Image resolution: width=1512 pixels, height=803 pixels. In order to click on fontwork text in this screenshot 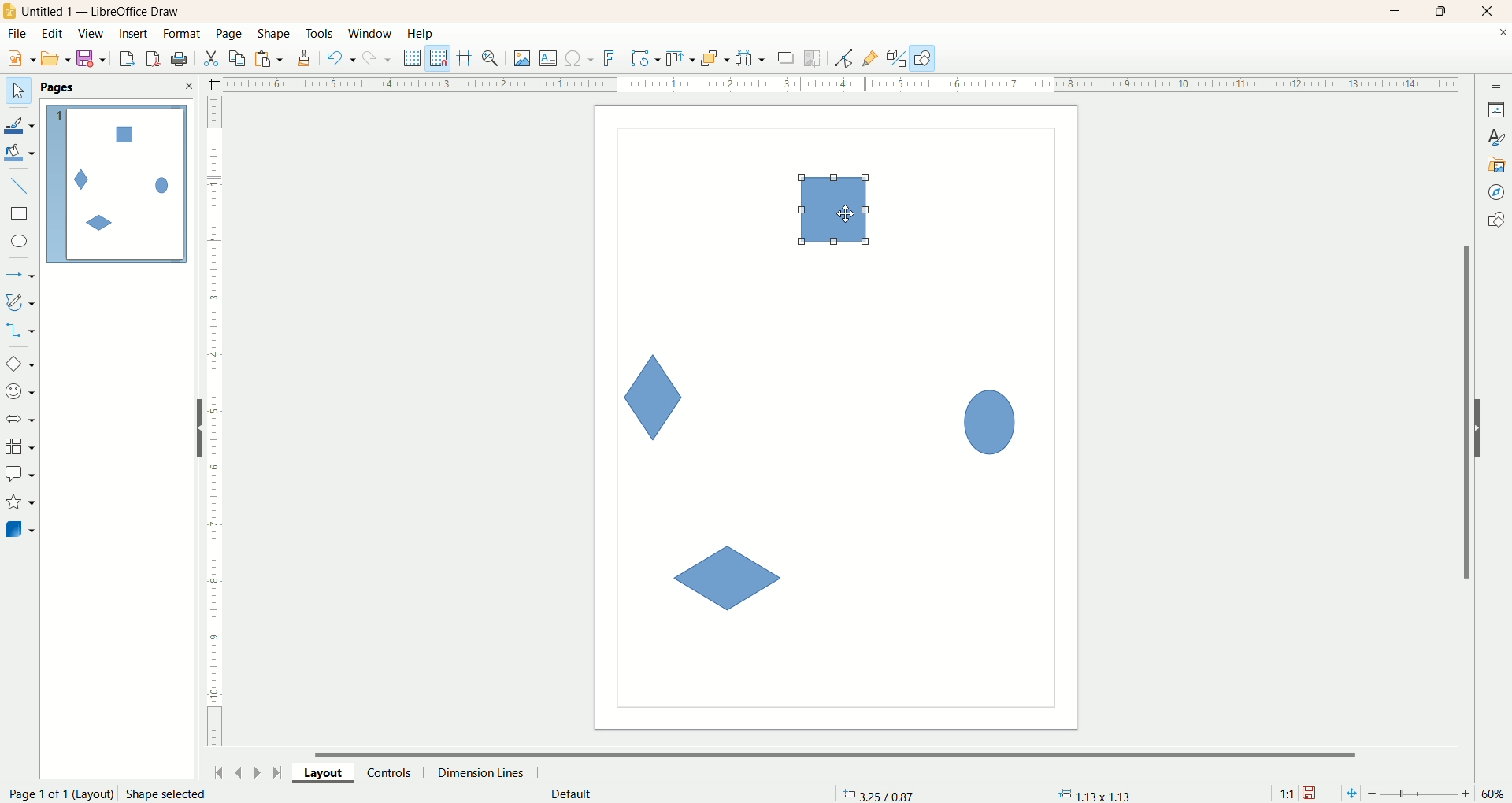, I will do `click(612, 59)`.